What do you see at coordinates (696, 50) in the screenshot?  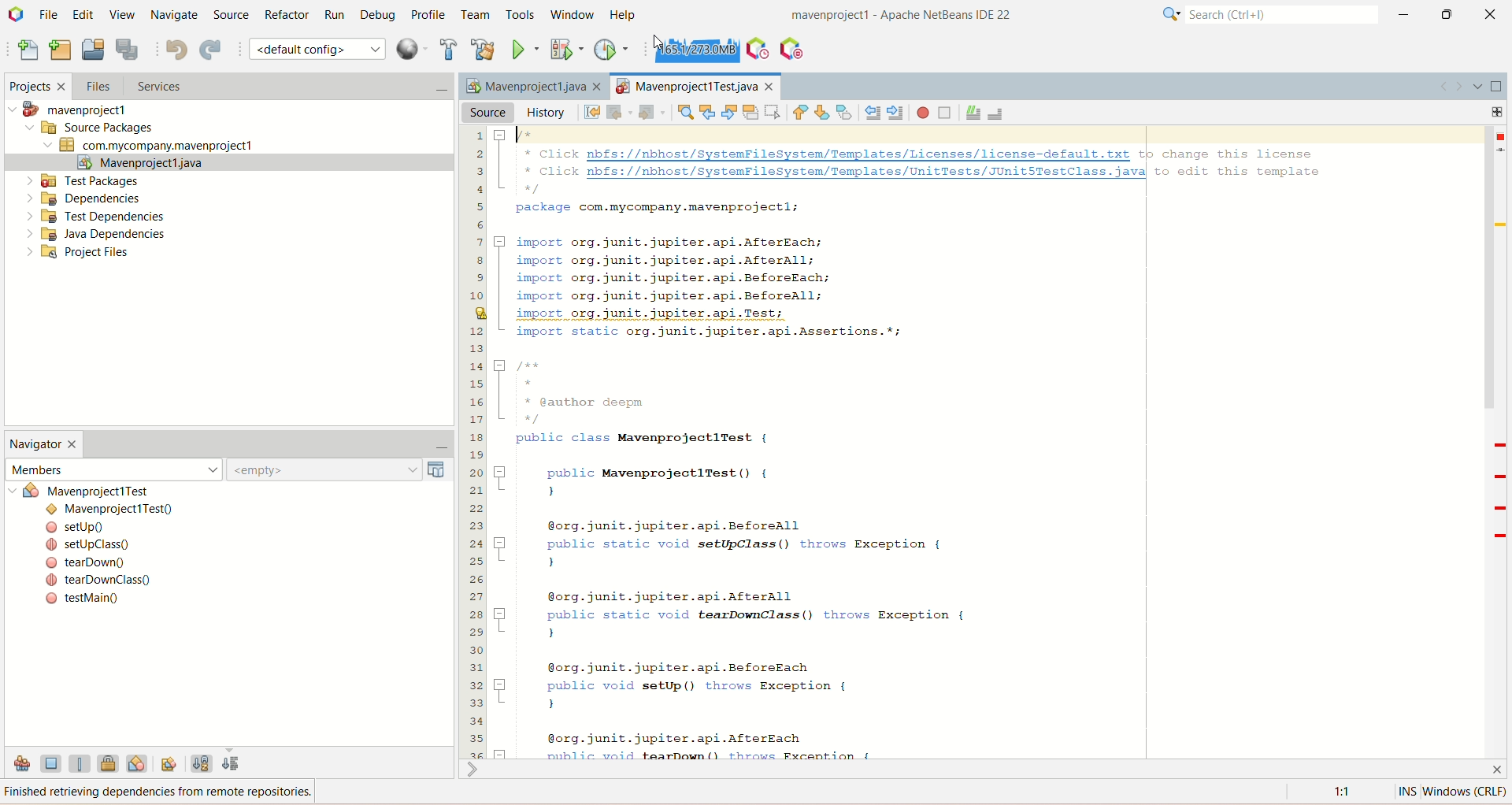 I see `force garbage collection` at bounding box center [696, 50].